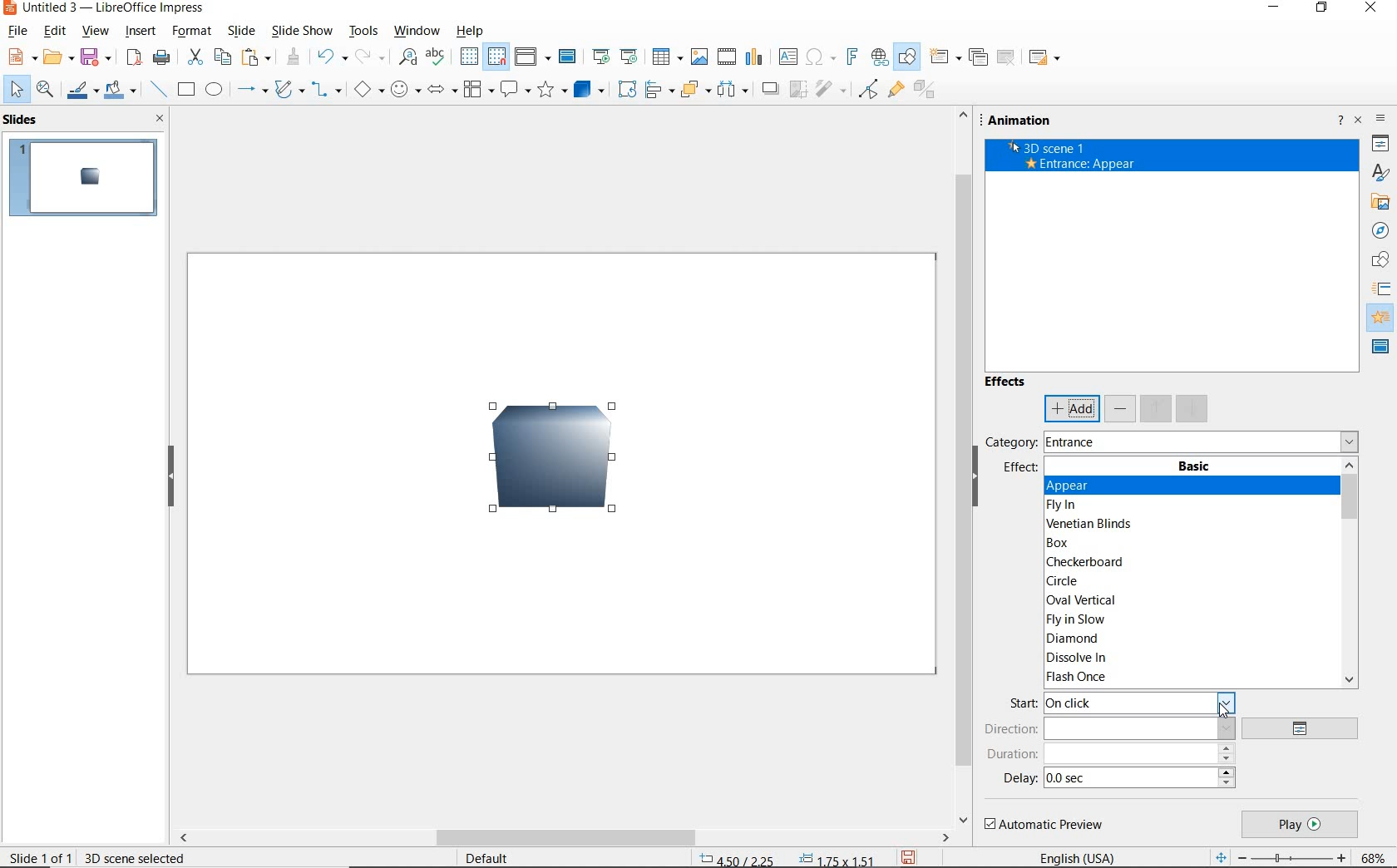 The height and width of the screenshot is (868, 1397). I want to click on zoom factor, so click(1375, 856).